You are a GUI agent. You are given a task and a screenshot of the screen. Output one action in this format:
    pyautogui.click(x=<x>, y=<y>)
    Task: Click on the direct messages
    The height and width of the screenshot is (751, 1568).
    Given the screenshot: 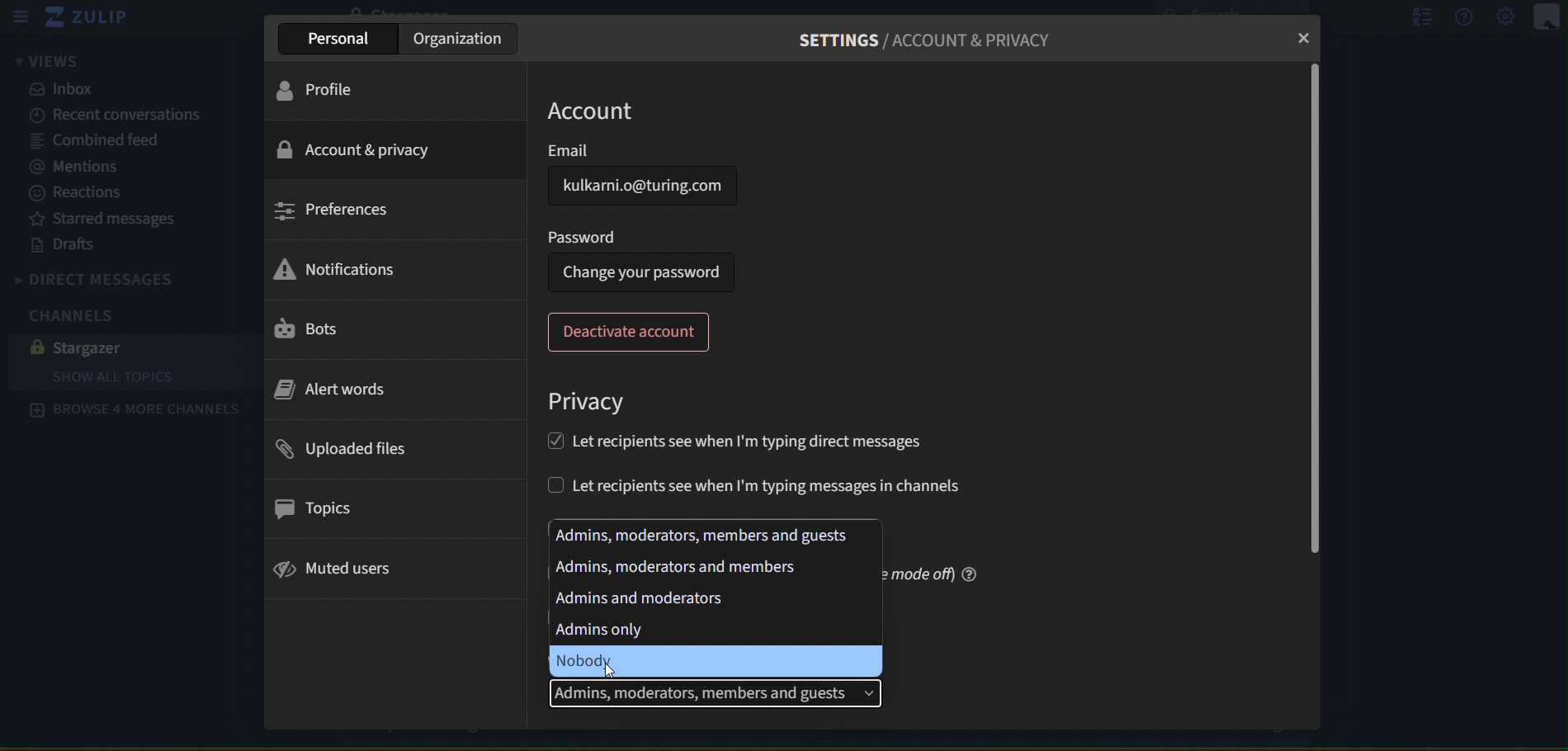 What is the action you would take?
    pyautogui.click(x=129, y=276)
    